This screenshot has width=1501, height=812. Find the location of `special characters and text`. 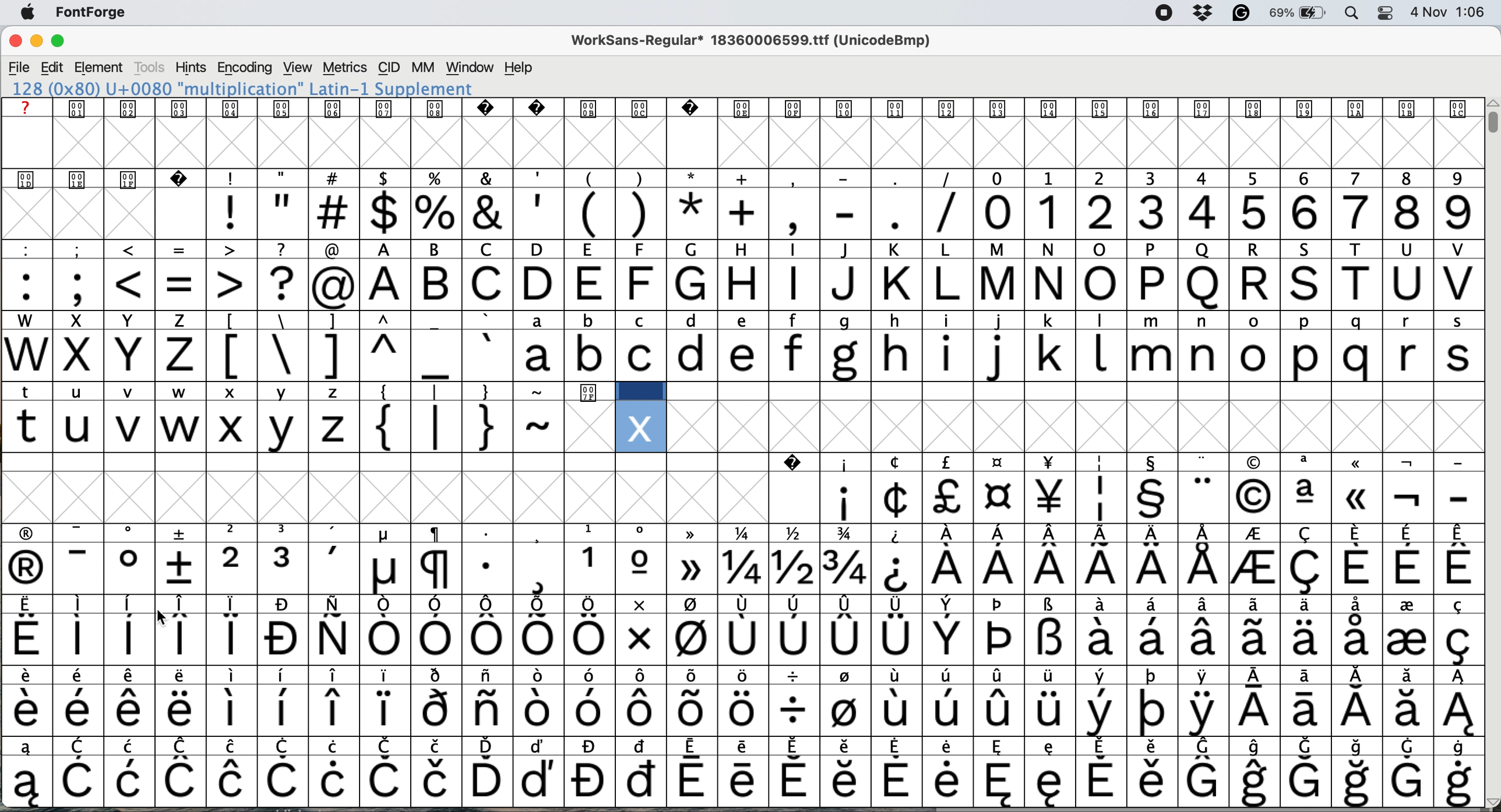

special characters and text is located at coordinates (747, 178).